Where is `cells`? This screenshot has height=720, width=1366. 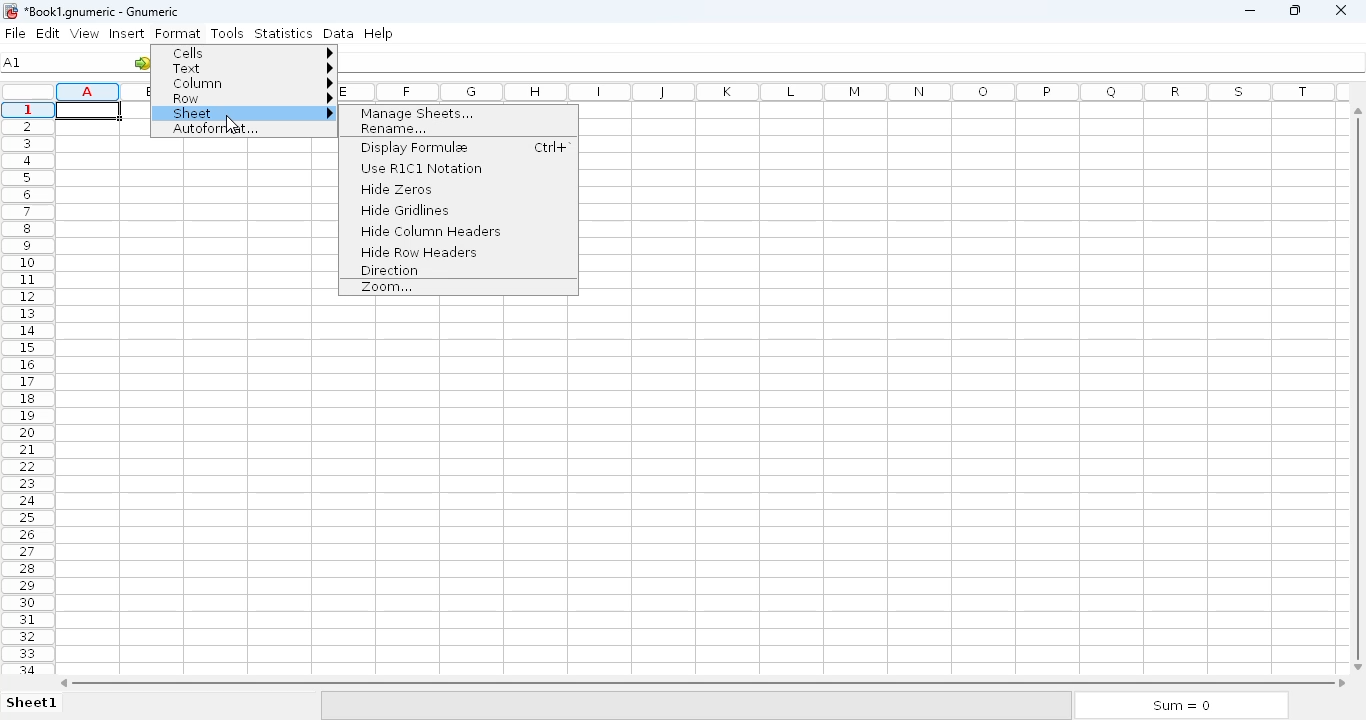 cells is located at coordinates (248, 52).